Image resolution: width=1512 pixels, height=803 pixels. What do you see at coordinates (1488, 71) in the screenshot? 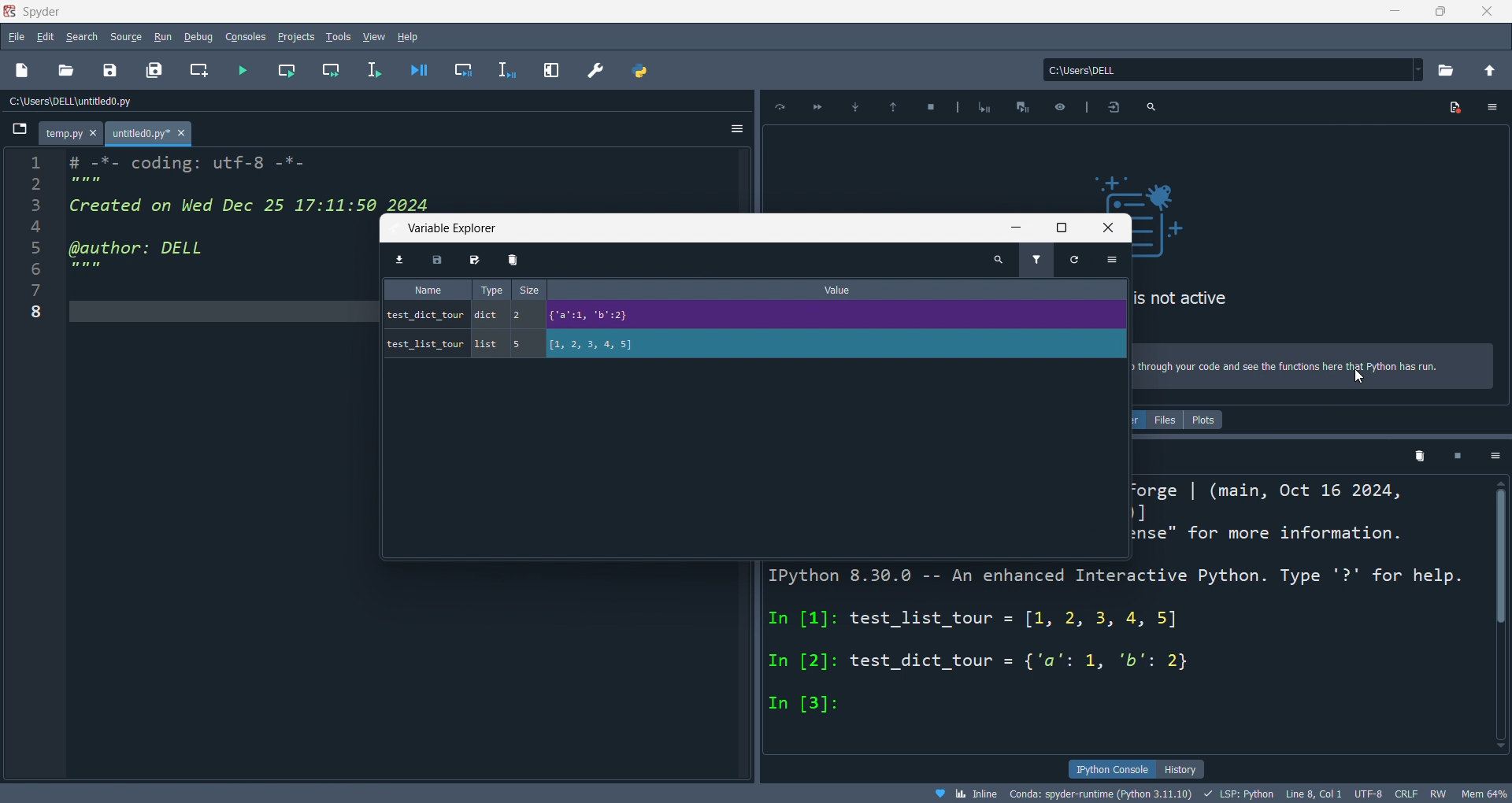
I see `open parent directory` at bounding box center [1488, 71].